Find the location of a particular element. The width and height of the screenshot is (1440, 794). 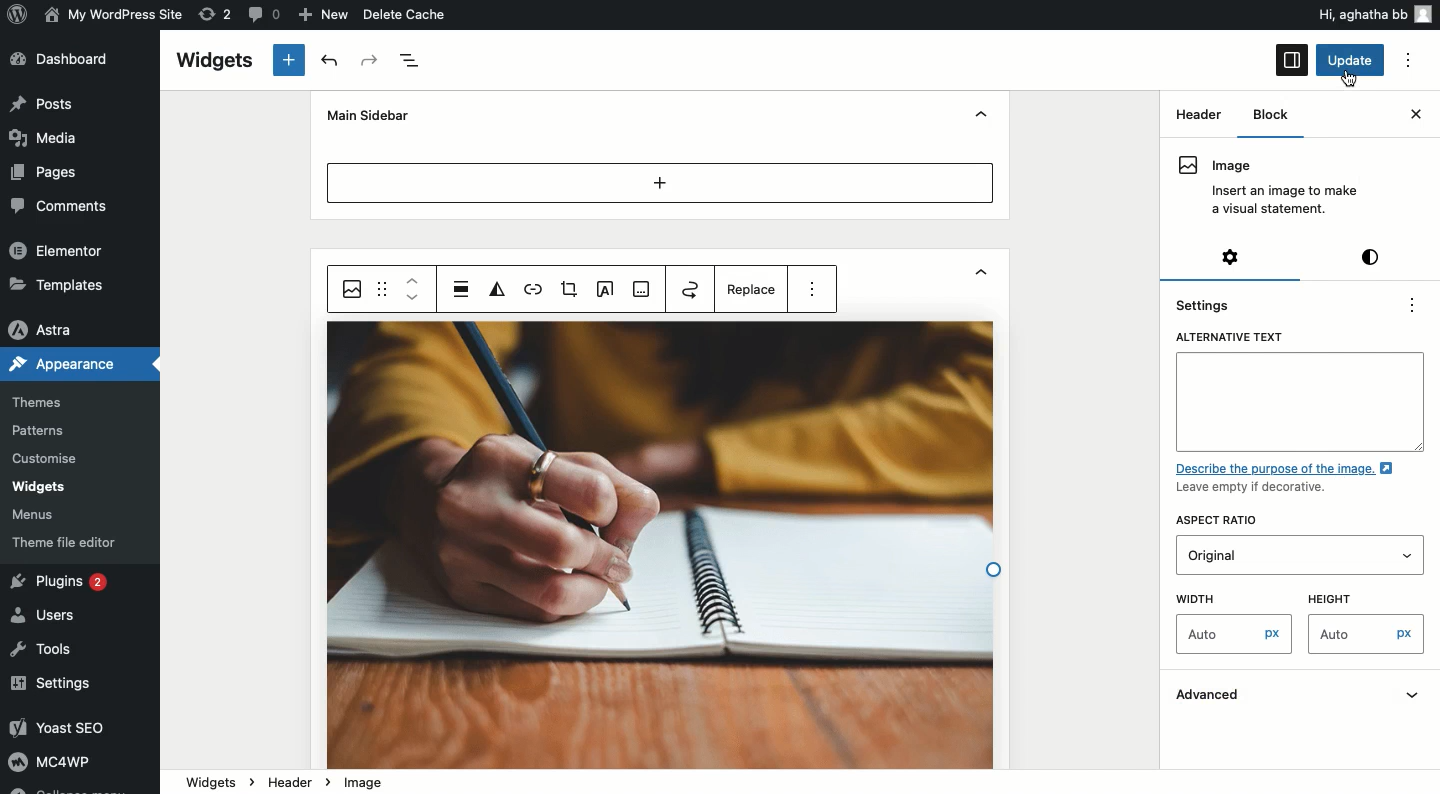

Widgets is located at coordinates (213, 61).